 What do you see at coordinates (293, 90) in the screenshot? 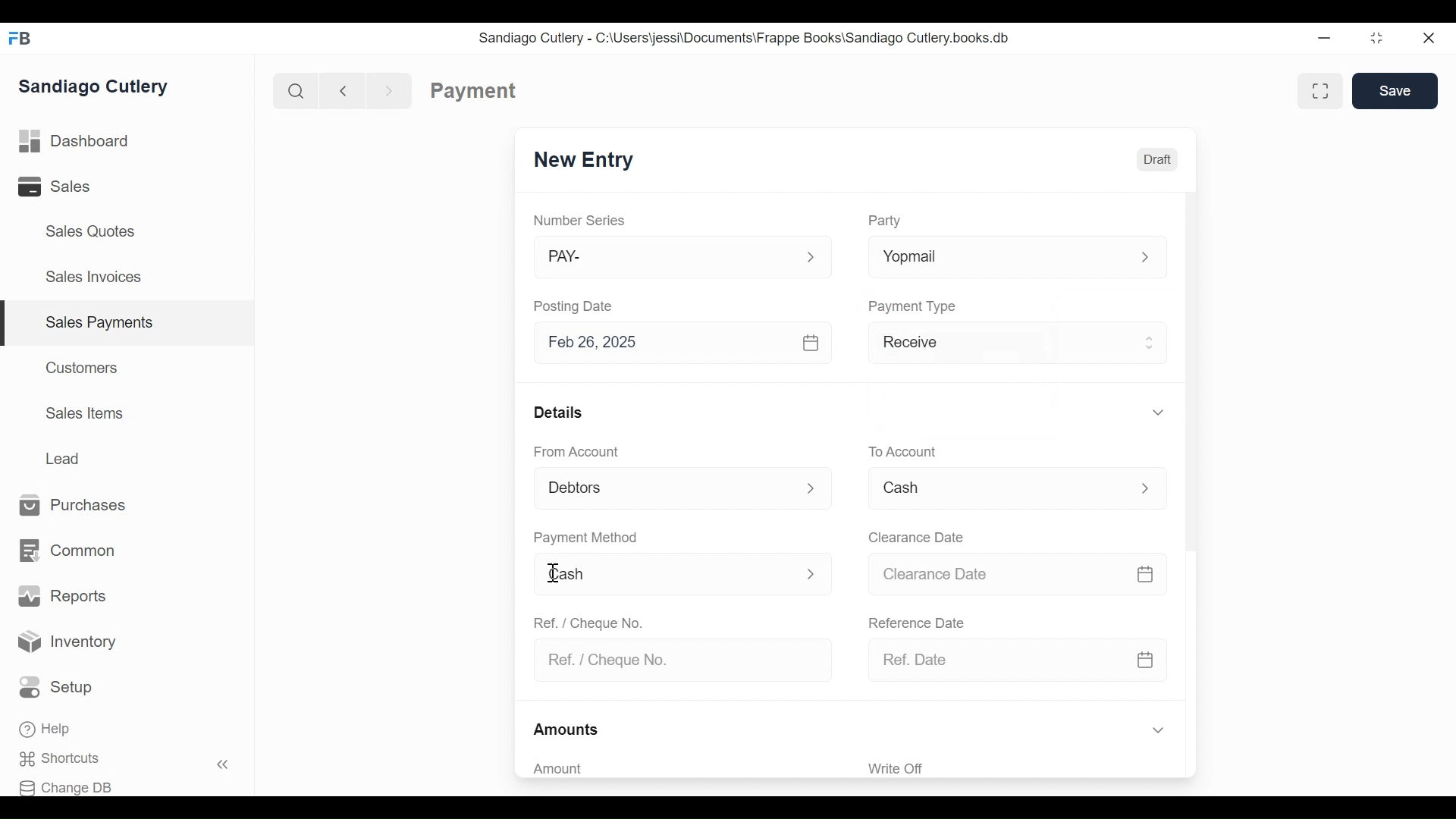
I see `Search` at bounding box center [293, 90].